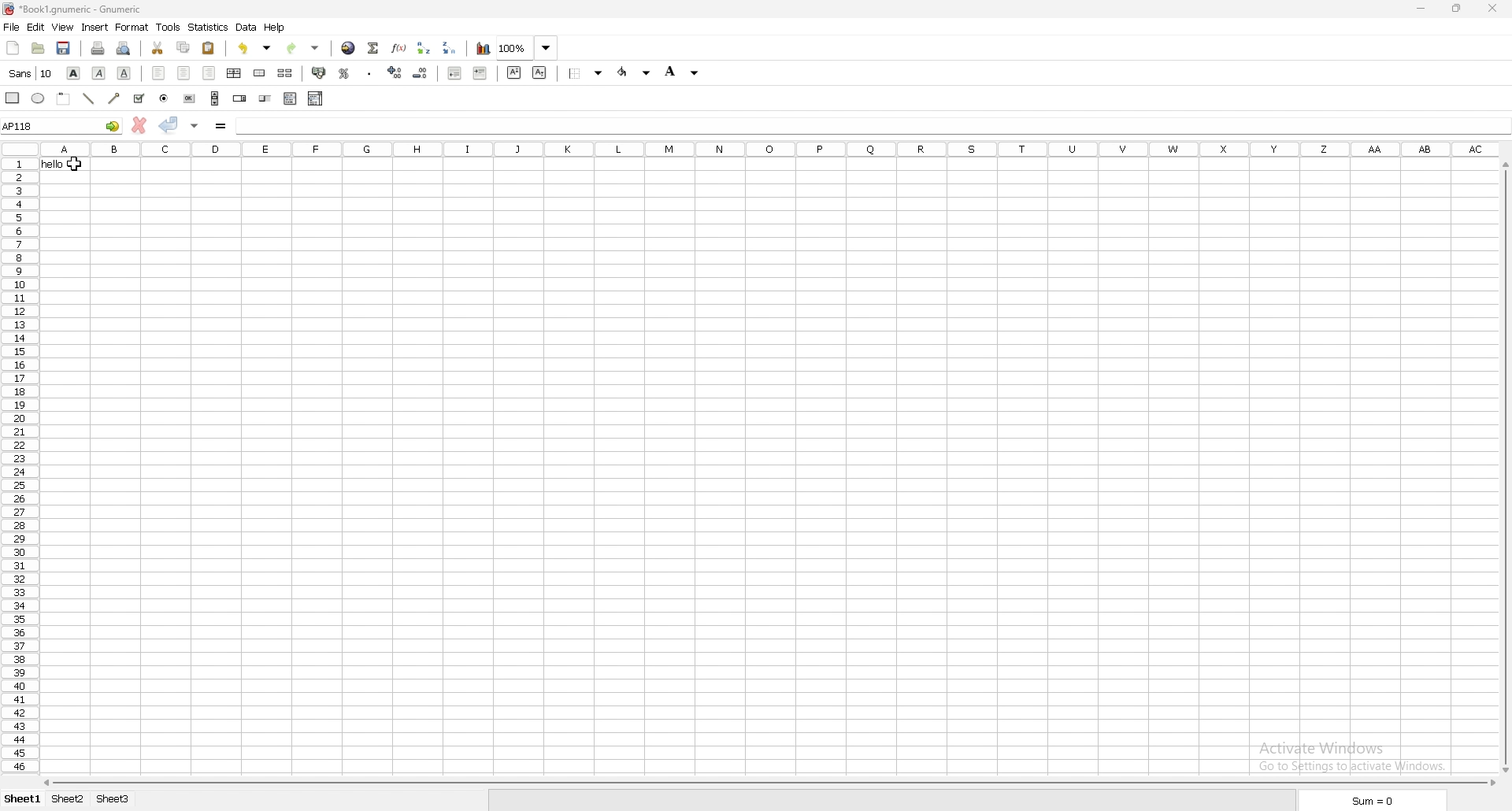 This screenshot has height=811, width=1512. What do you see at coordinates (64, 98) in the screenshot?
I see `frame` at bounding box center [64, 98].